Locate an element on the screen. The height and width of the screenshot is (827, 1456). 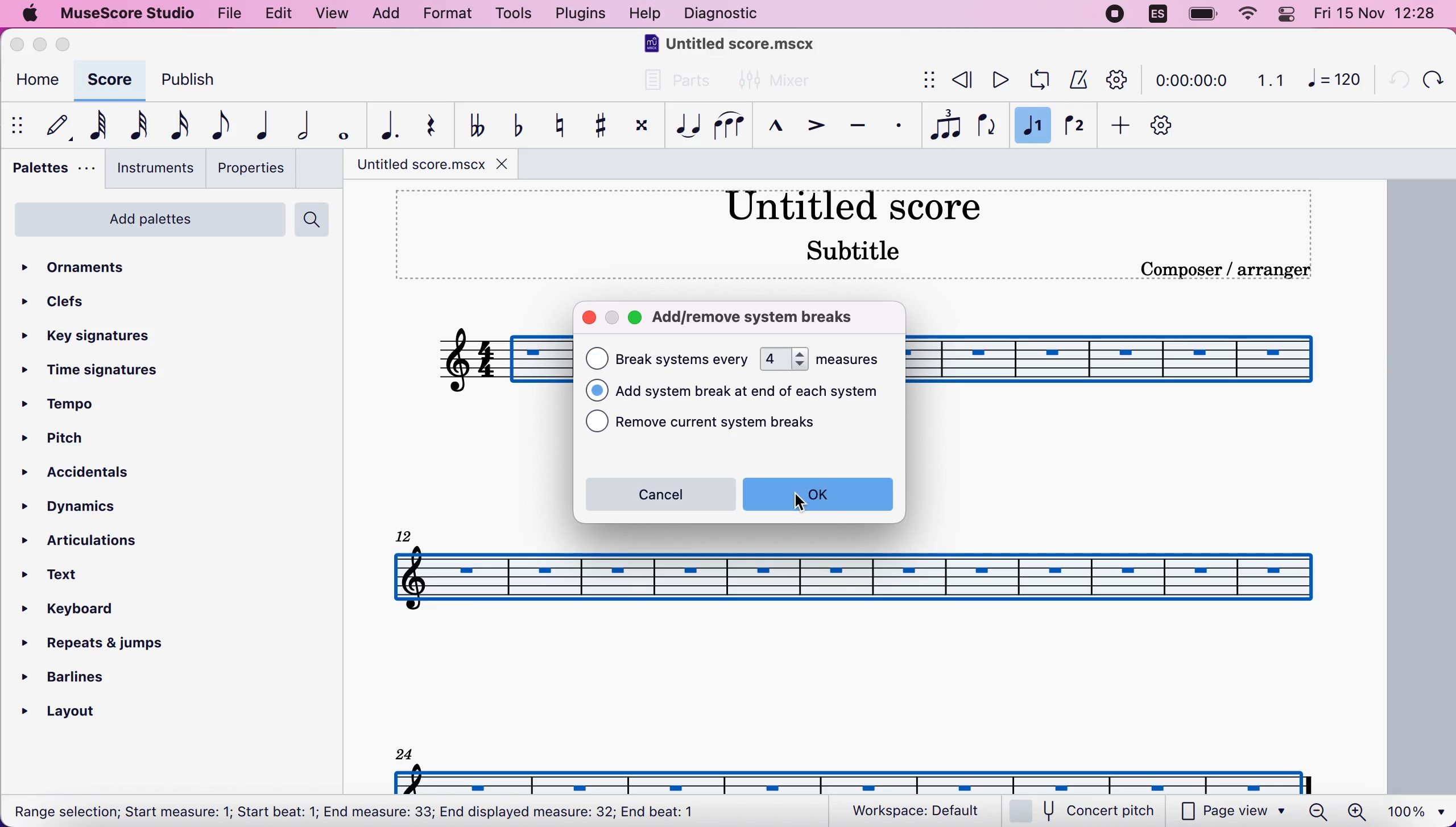
add palettes is located at coordinates (147, 224).